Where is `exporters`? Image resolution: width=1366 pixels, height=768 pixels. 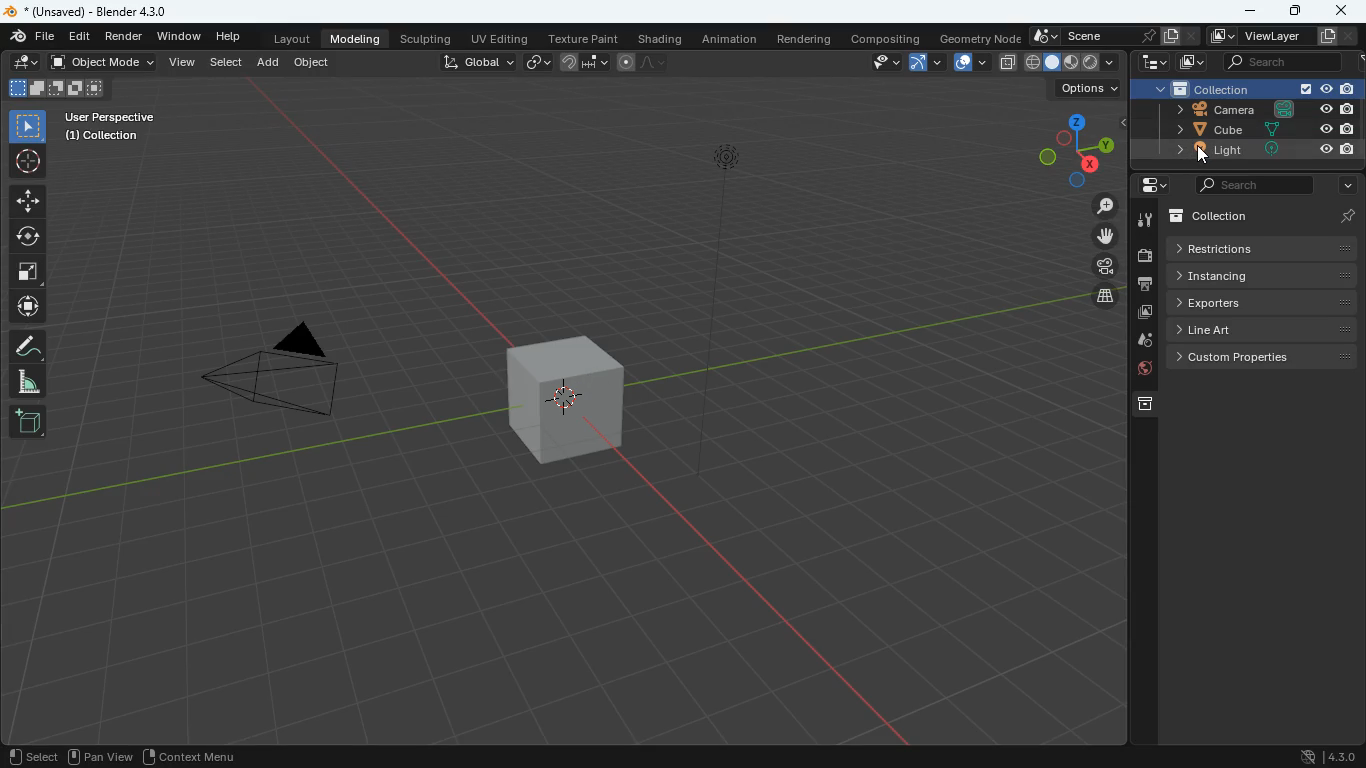
exporters is located at coordinates (1262, 303).